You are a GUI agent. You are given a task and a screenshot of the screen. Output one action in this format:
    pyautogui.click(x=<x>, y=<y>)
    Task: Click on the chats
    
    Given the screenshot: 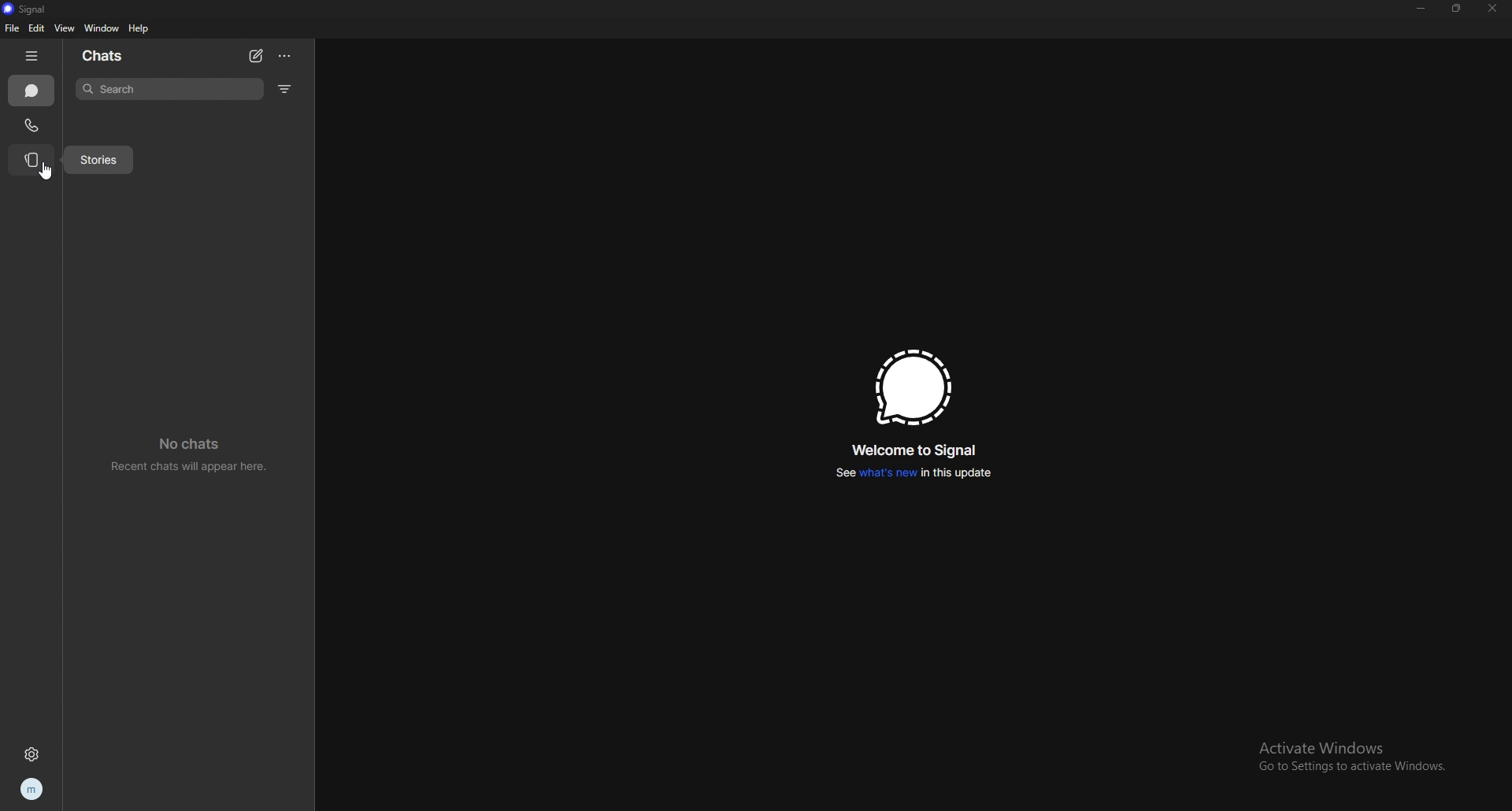 What is the action you would take?
    pyautogui.click(x=32, y=91)
    